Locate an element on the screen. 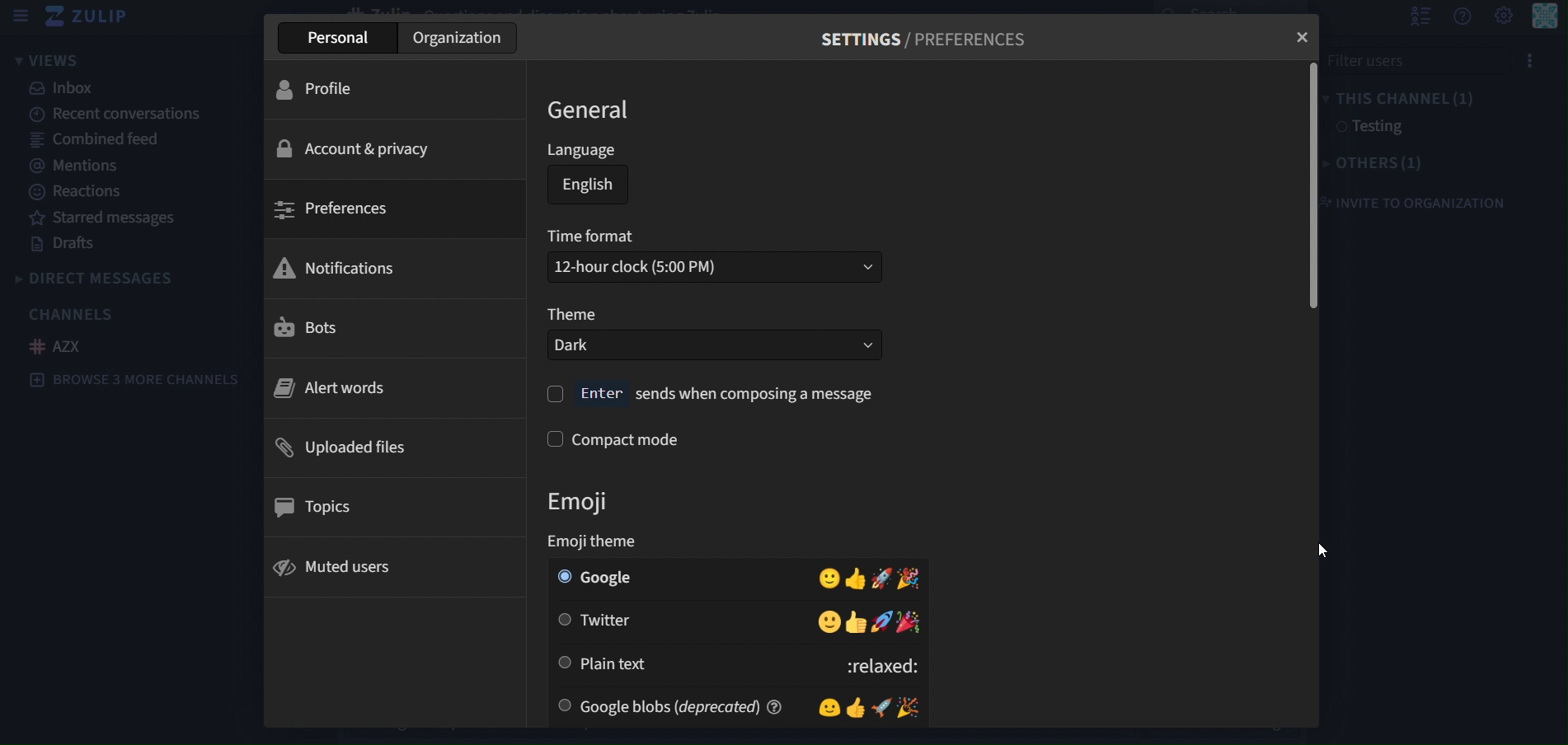  compact mode is located at coordinates (631, 437).